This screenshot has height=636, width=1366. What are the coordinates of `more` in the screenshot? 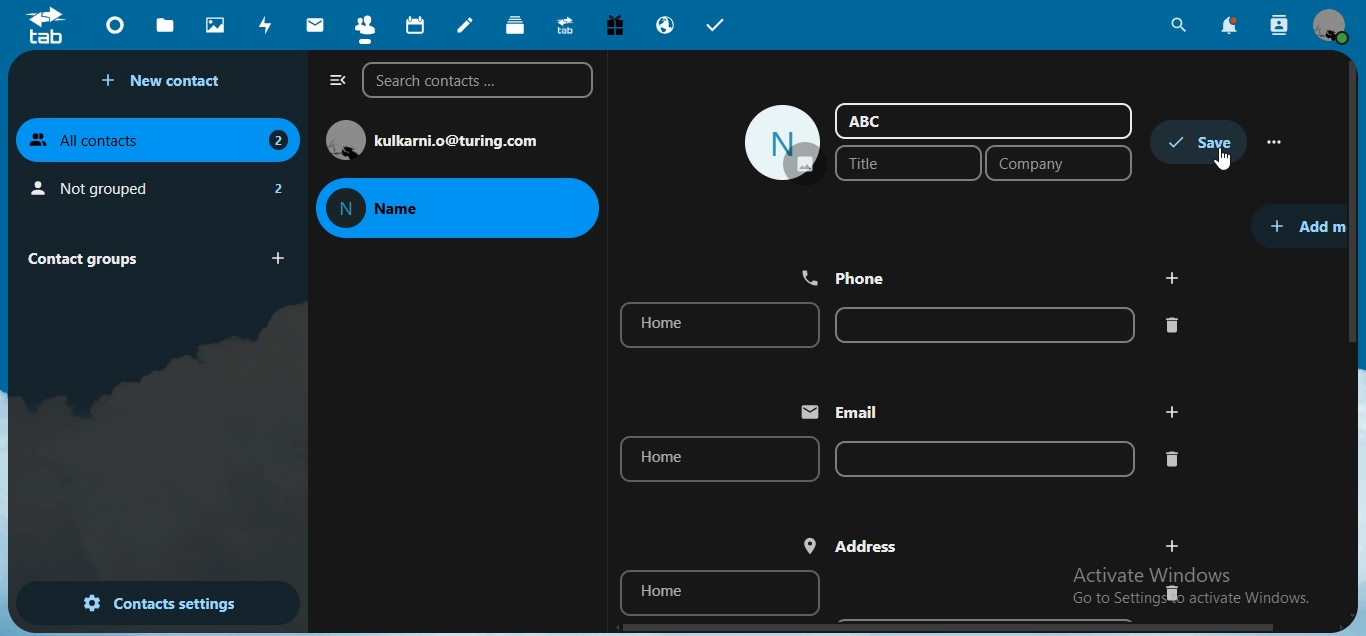 It's located at (1277, 142).